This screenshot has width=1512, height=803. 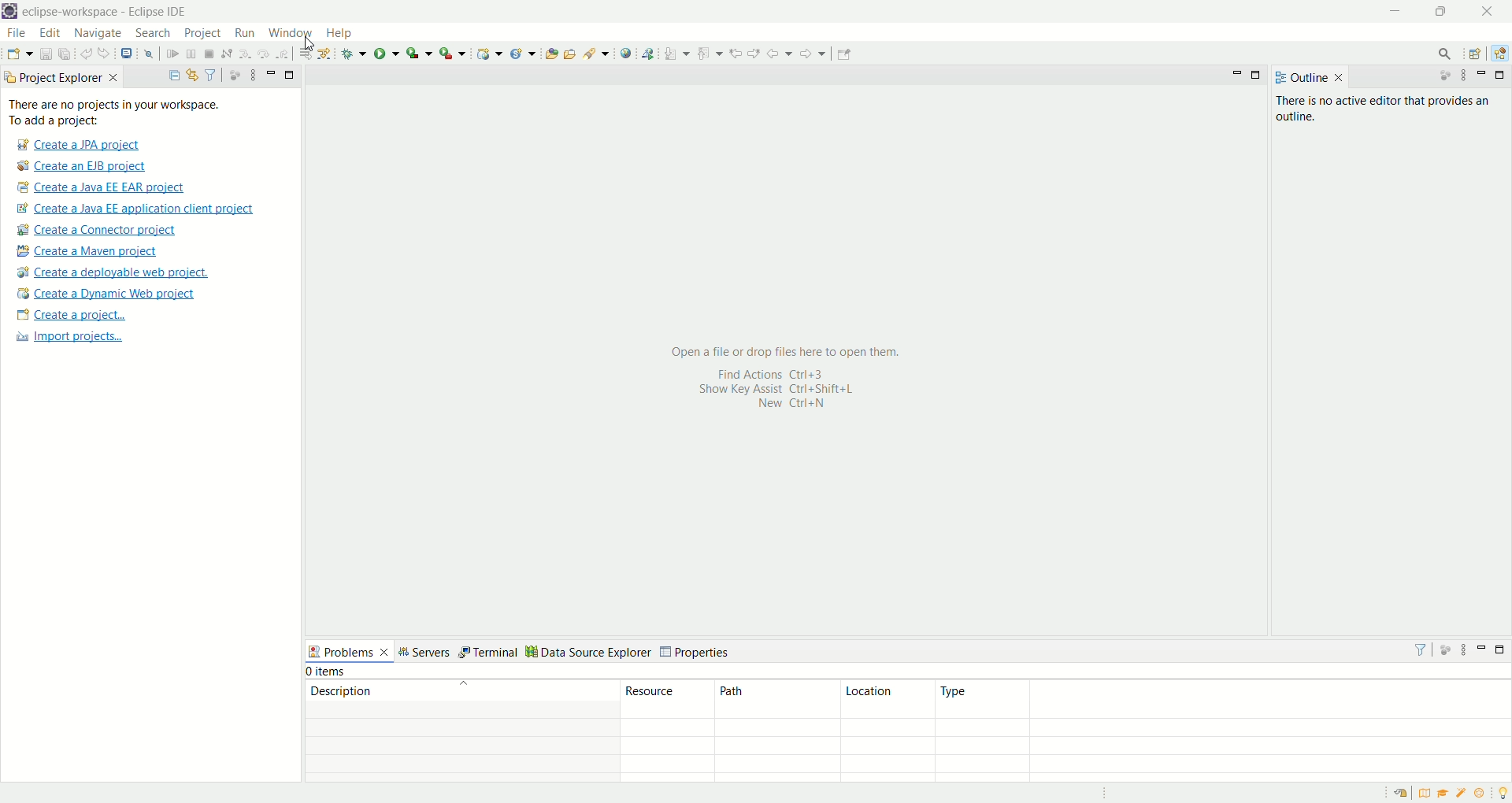 I want to click on maximize, so click(x=1258, y=75).